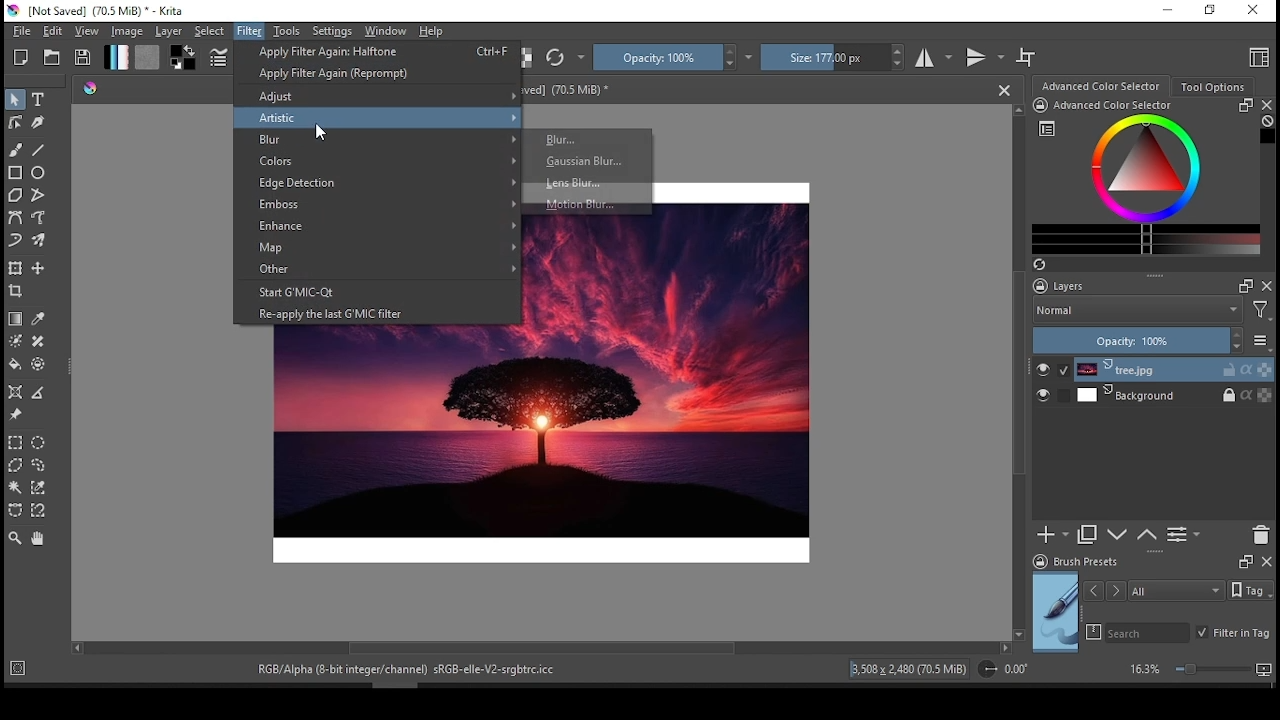 The image size is (1280, 720). Describe the element at coordinates (375, 313) in the screenshot. I see `reapply the last G'MIC filter ` at that location.